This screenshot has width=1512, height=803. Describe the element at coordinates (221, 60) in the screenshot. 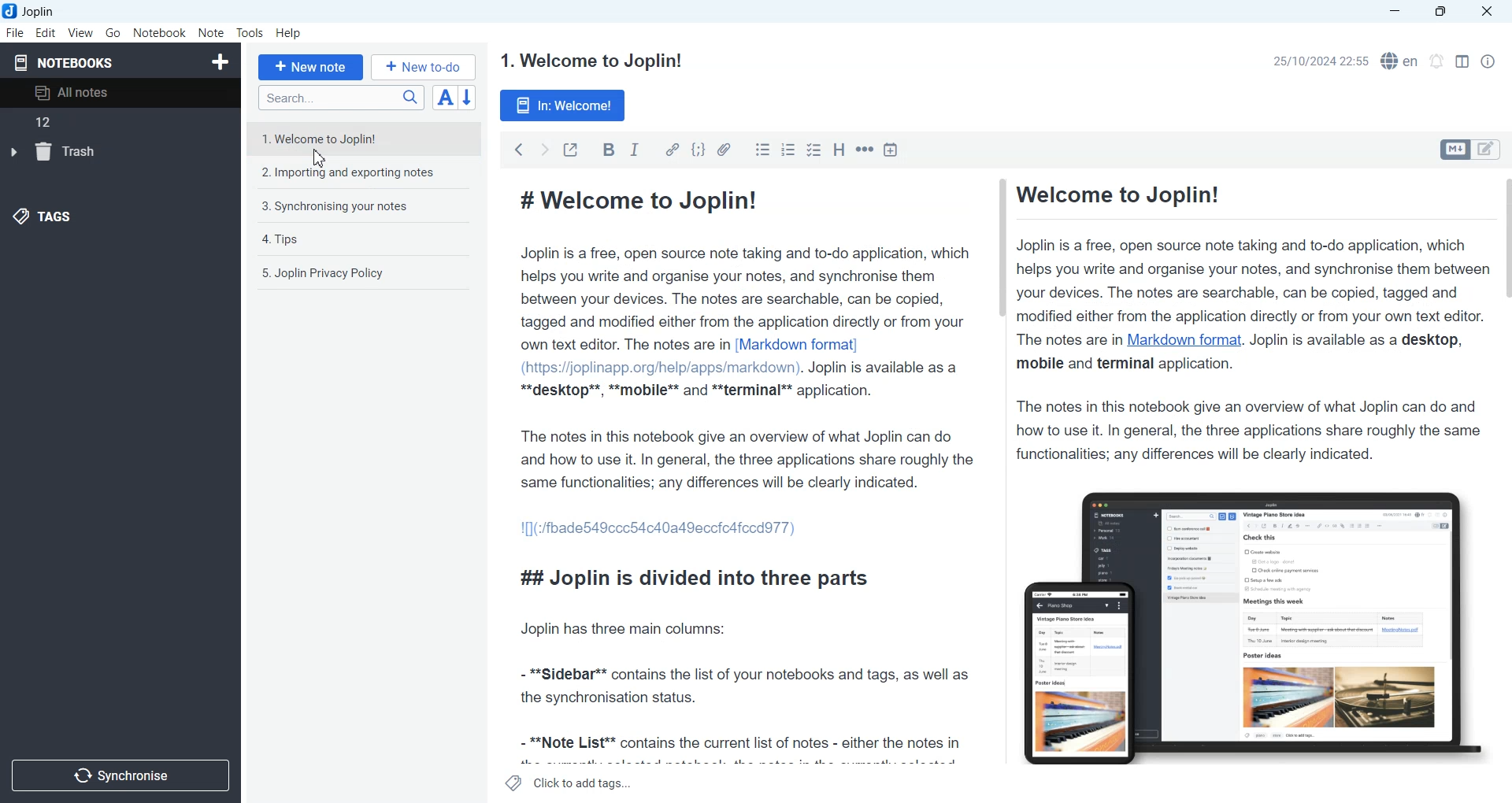

I see `Create Notebook` at that location.